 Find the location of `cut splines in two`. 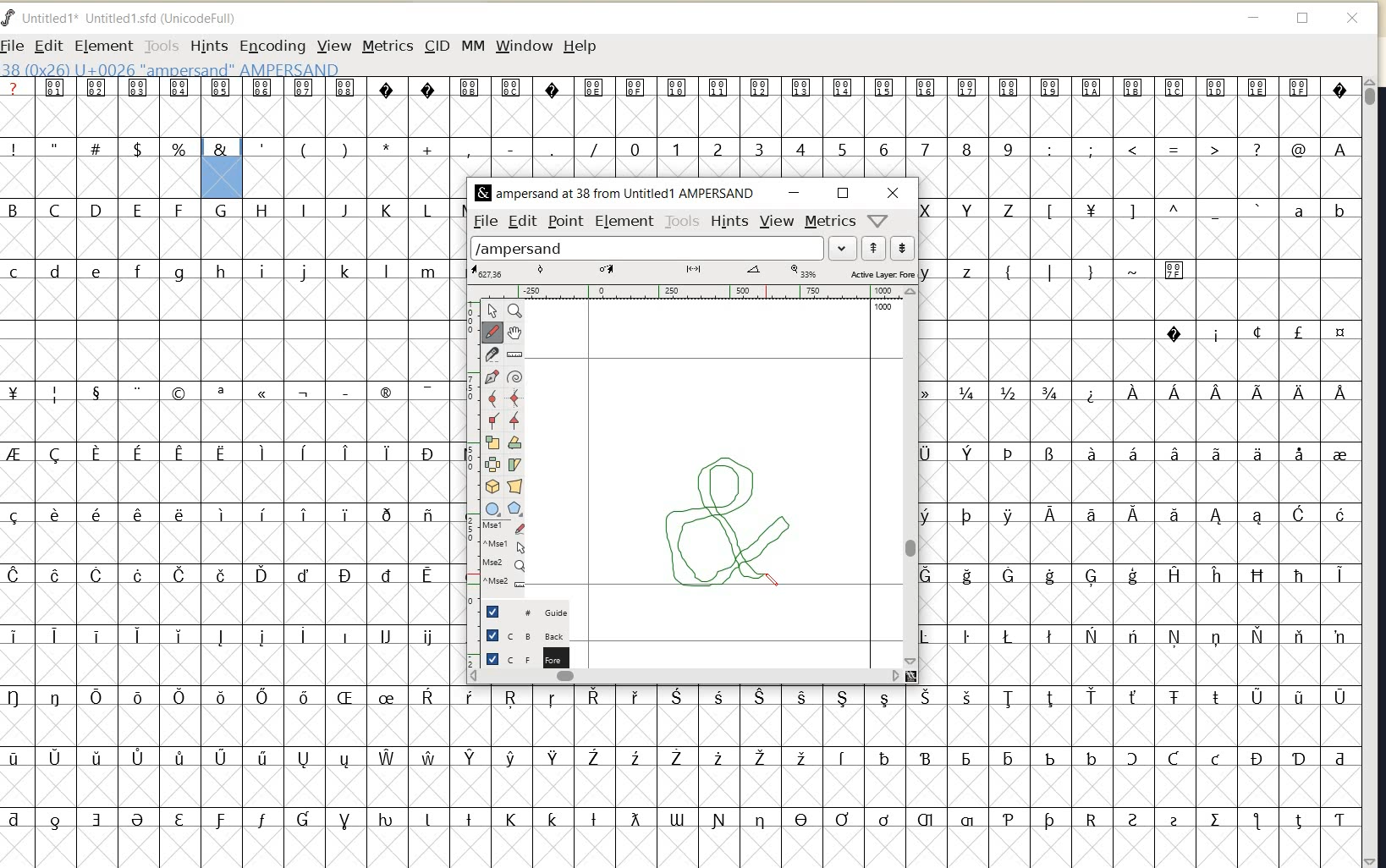

cut splines in two is located at coordinates (491, 354).